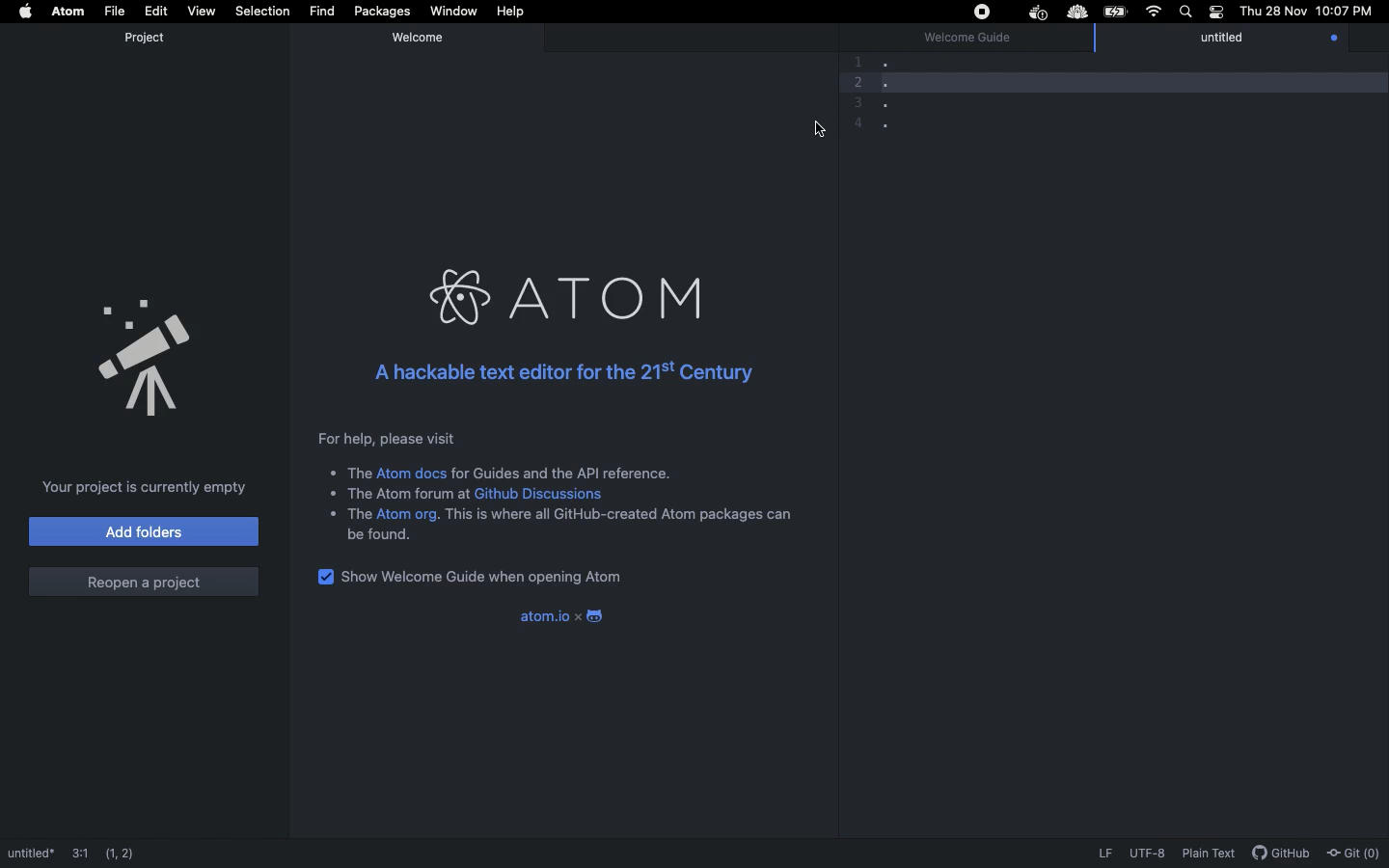 This screenshot has width=1389, height=868. Describe the element at coordinates (113, 11) in the screenshot. I see `File` at that location.